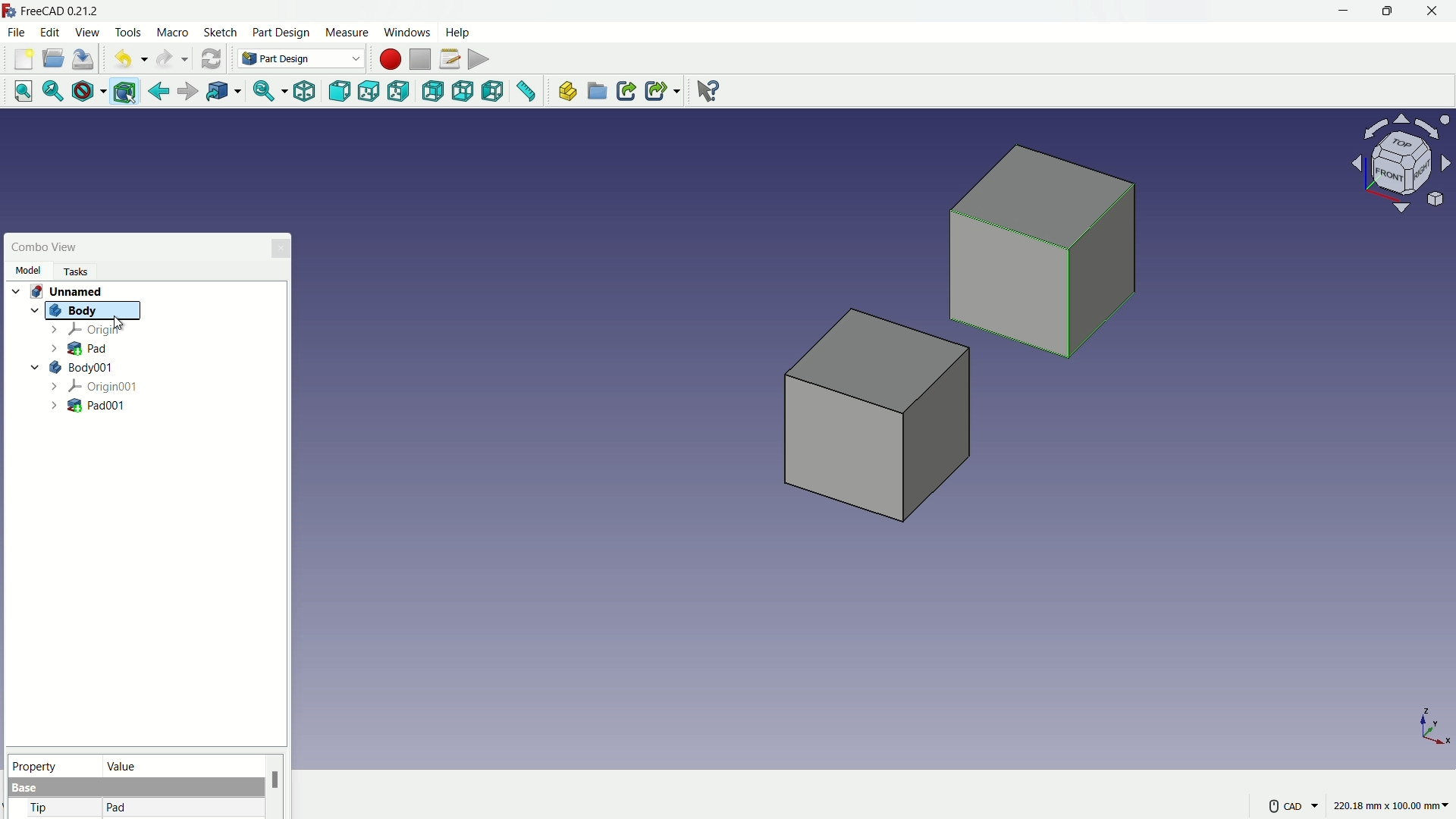  What do you see at coordinates (480, 58) in the screenshot?
I see `execute macros` at bounding box center [480, 58].